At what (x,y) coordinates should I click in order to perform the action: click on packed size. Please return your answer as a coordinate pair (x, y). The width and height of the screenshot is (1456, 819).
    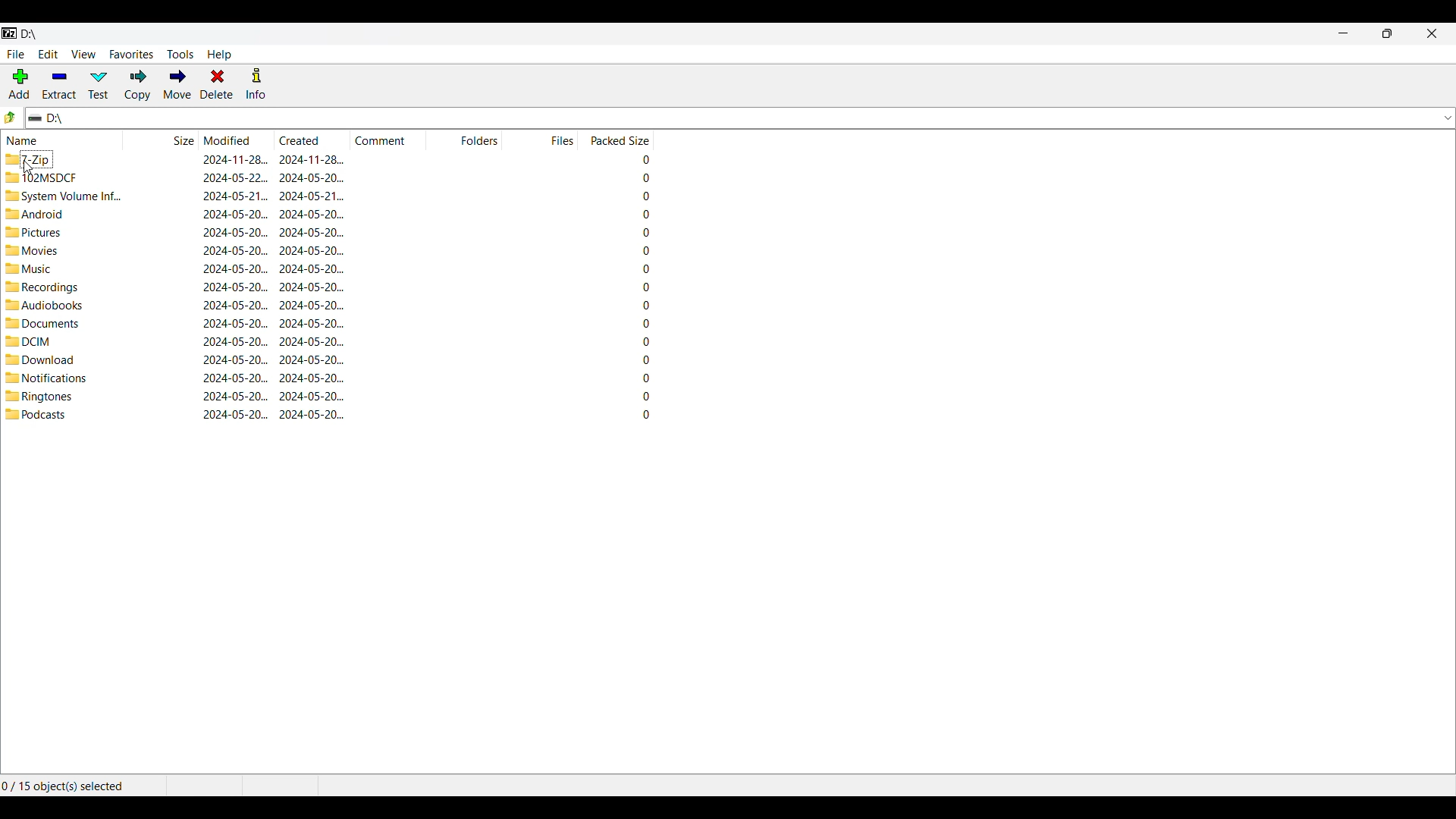
    Looking at the image, I should click on (642, 359).